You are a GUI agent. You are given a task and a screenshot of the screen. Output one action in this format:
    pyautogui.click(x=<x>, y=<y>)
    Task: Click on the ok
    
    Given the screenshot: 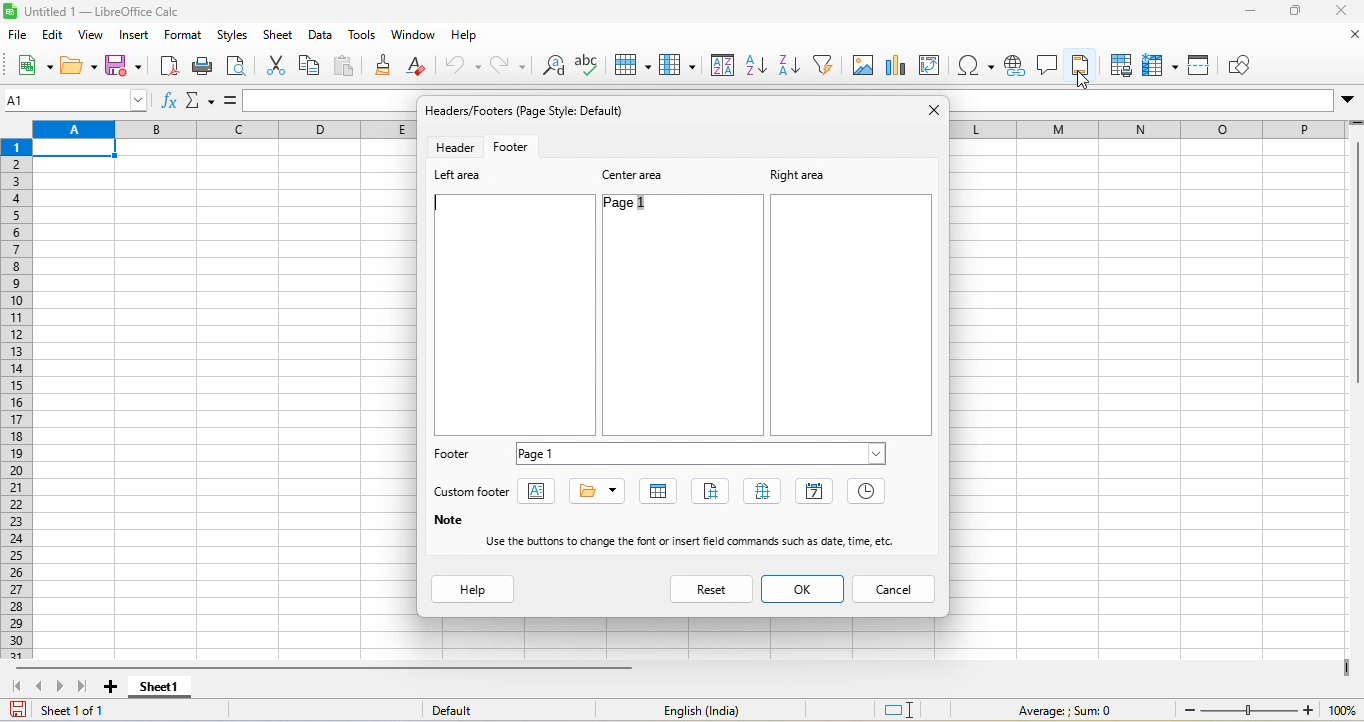 What is the action you would take?
    pyautogui.click(x=803, y=590)
    